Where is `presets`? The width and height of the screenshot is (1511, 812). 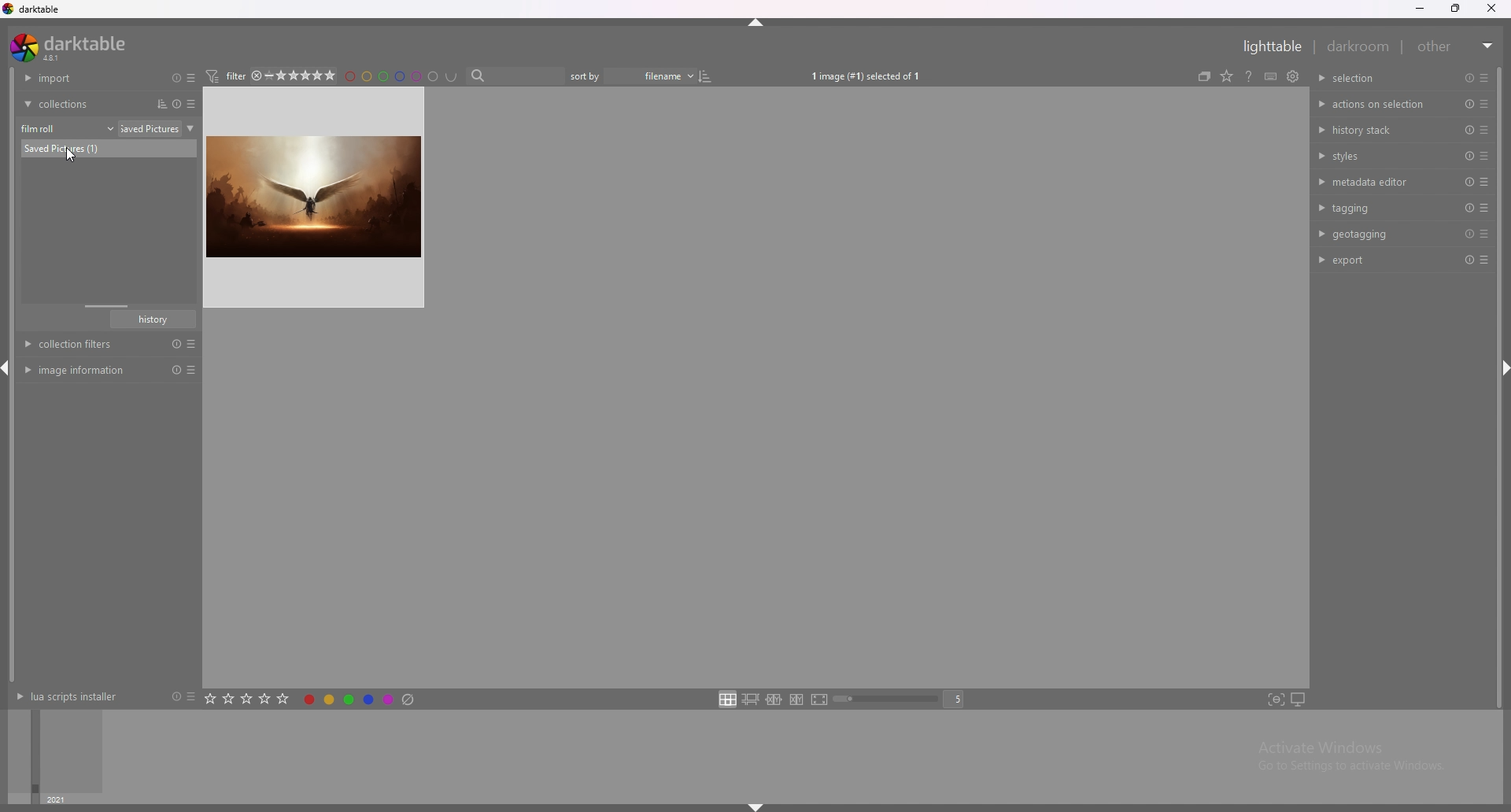
presets is located at coordinates (1482, 78).